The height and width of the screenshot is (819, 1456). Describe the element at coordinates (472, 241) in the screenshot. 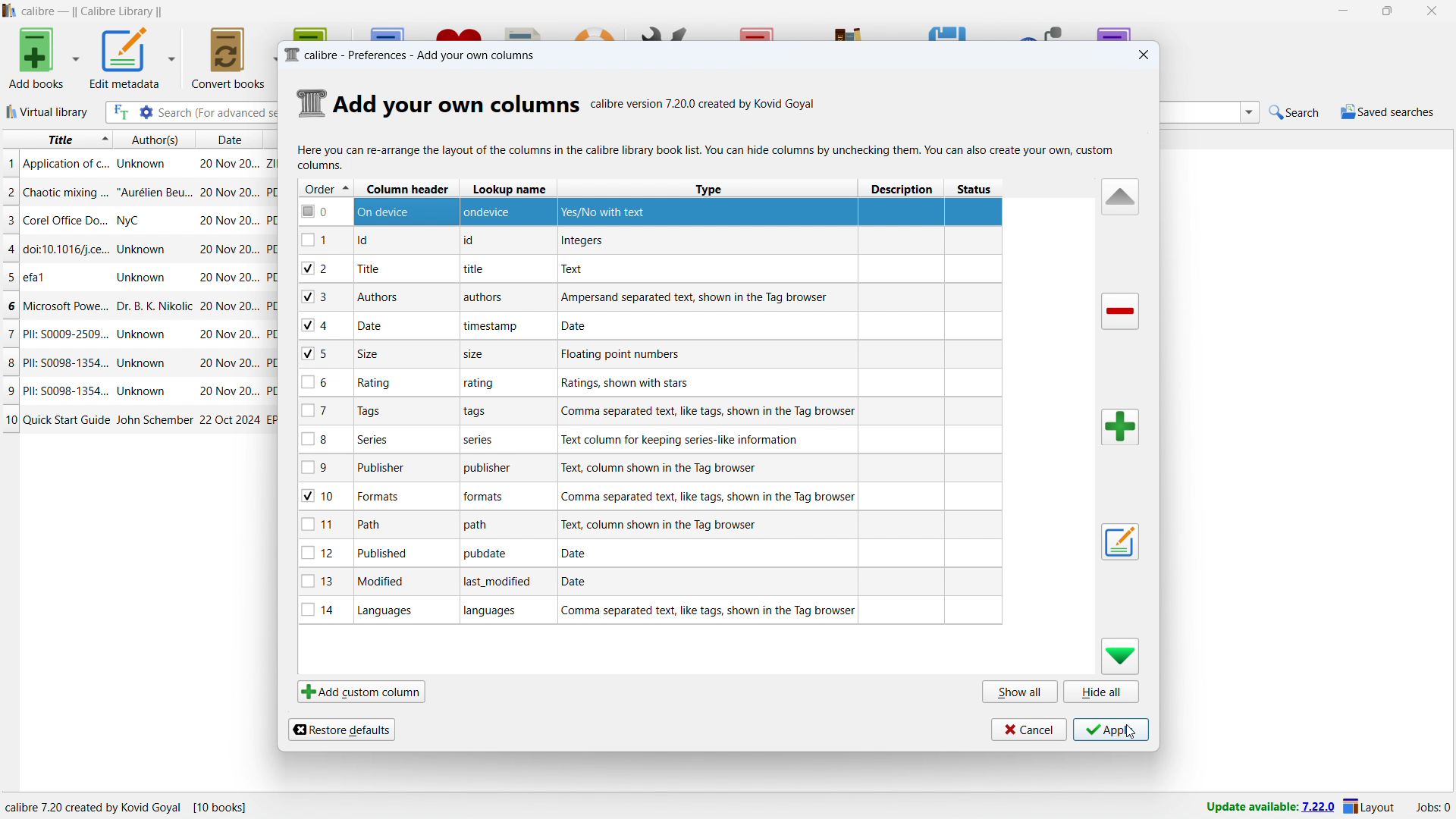

I see `id` at that location.